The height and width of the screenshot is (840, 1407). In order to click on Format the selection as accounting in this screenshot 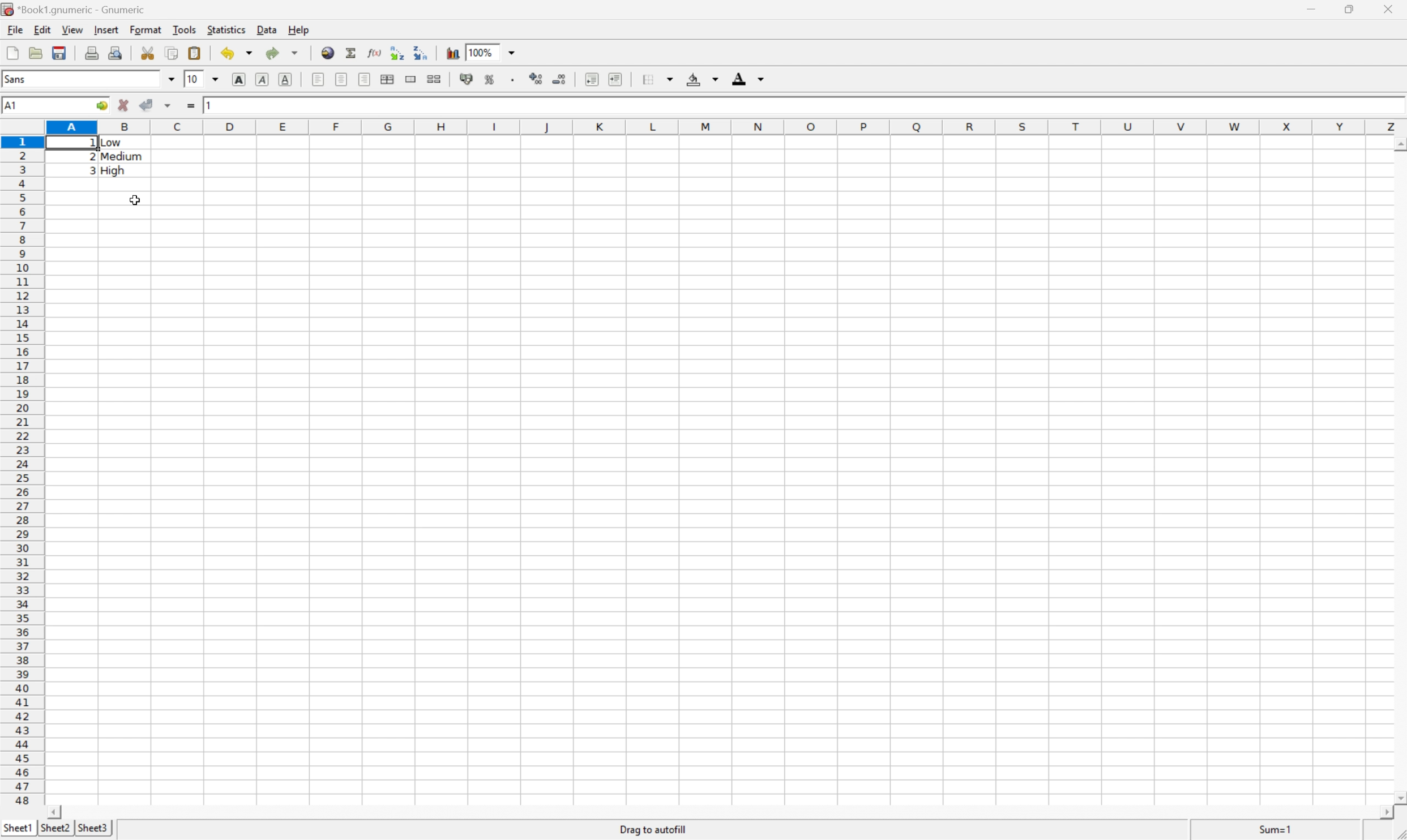, I will do `click(465, 79)`.